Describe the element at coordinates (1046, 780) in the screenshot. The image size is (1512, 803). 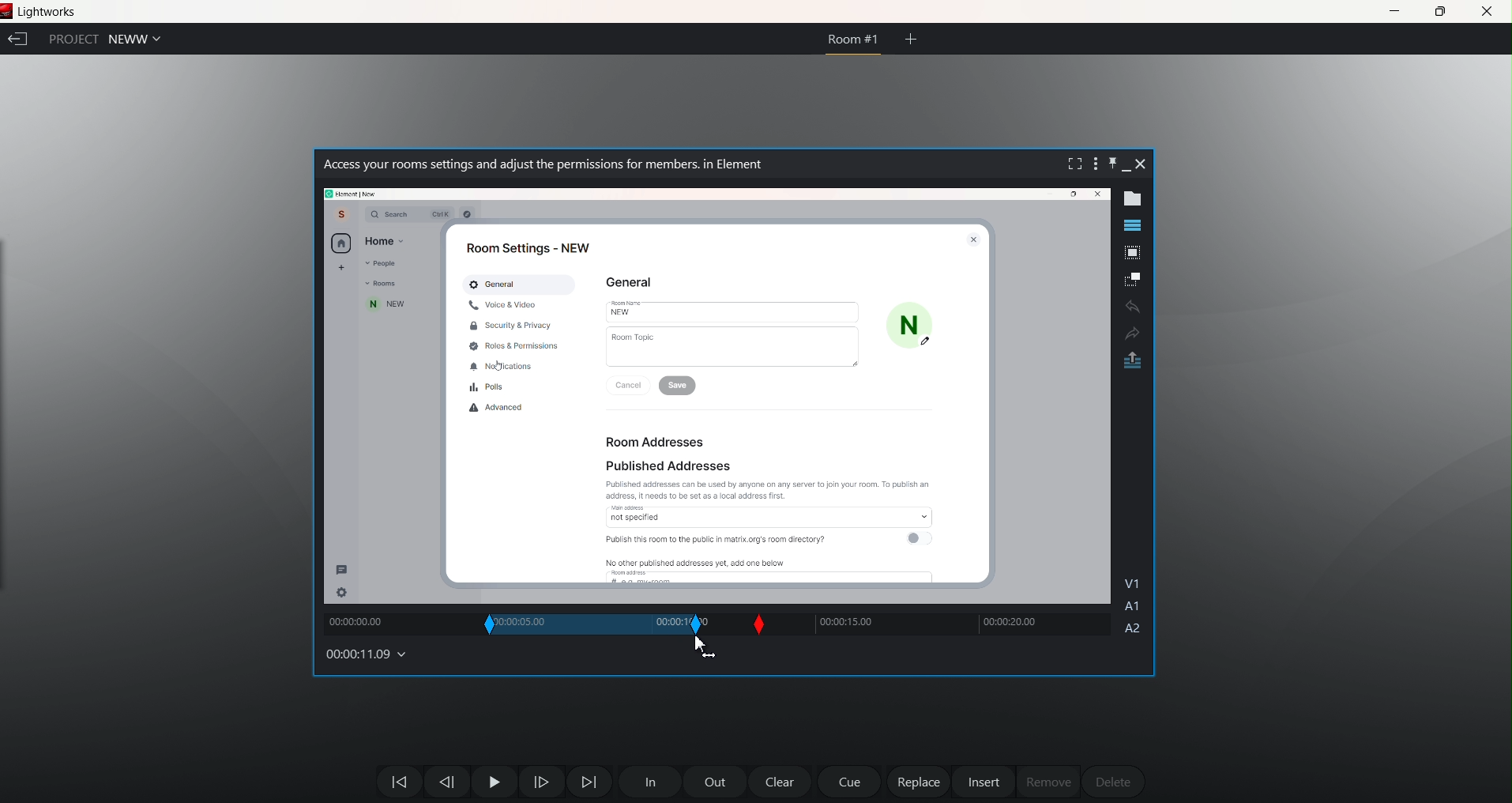
I see `remove` at that location.